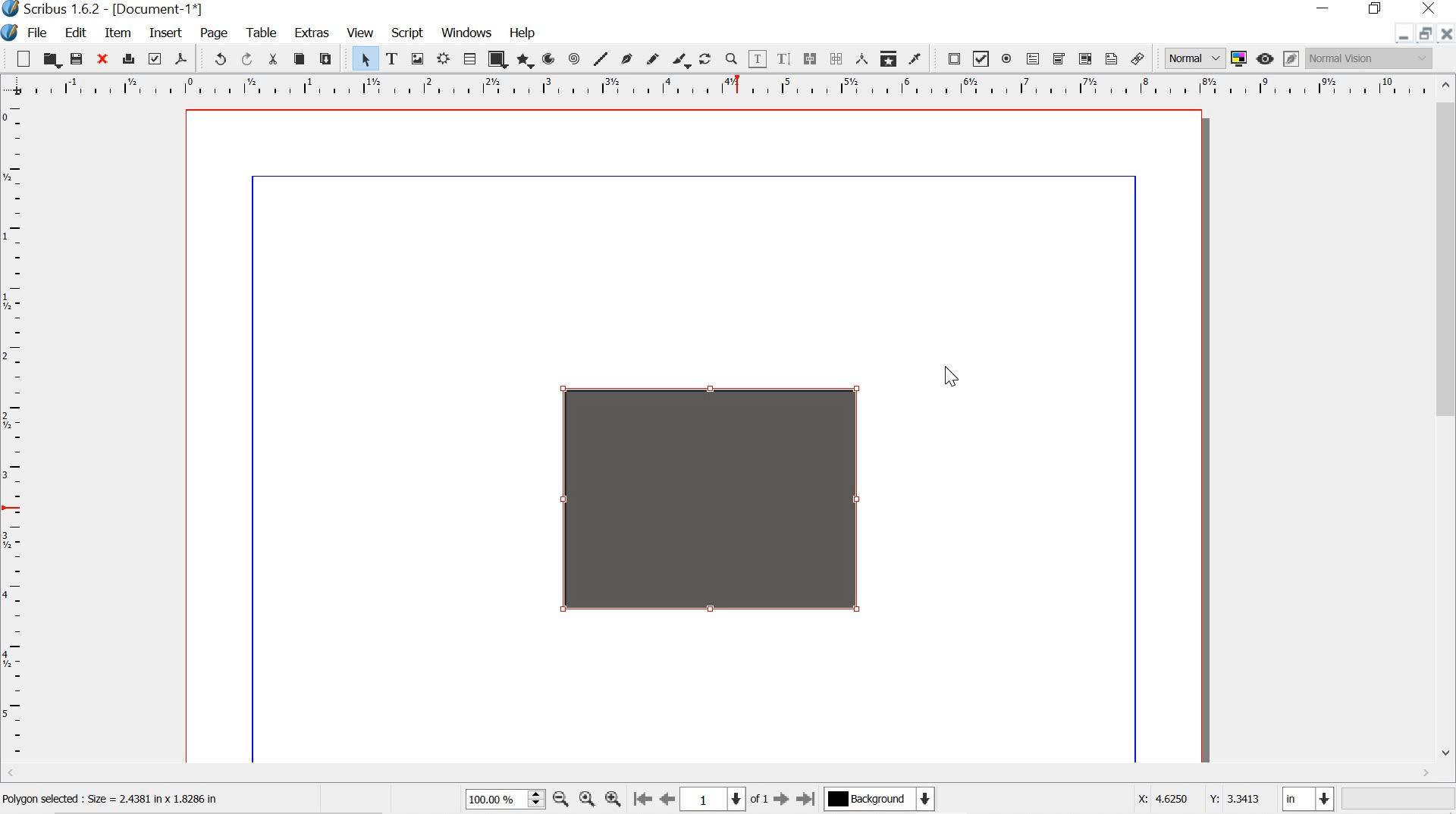 This screenshot has width=1456, height=814. I want to click on shape, so click(497, 59).